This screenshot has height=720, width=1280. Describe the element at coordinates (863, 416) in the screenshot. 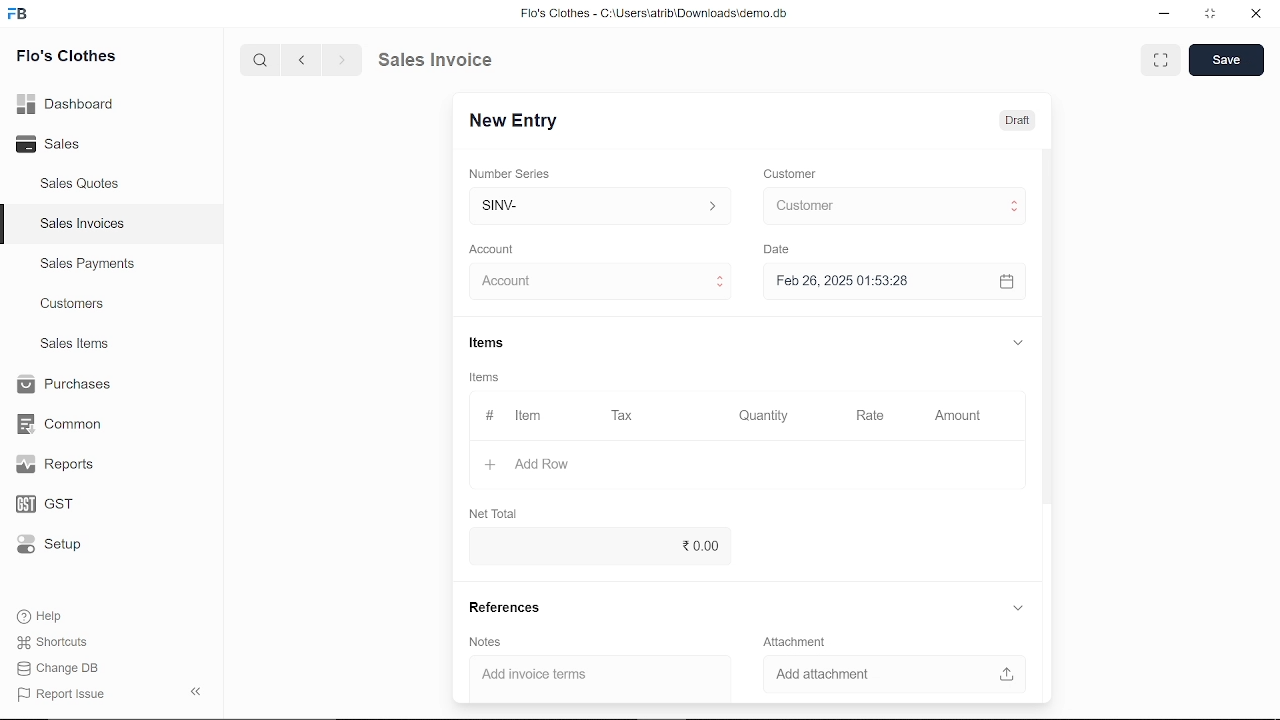

I see `Rate` at that location.